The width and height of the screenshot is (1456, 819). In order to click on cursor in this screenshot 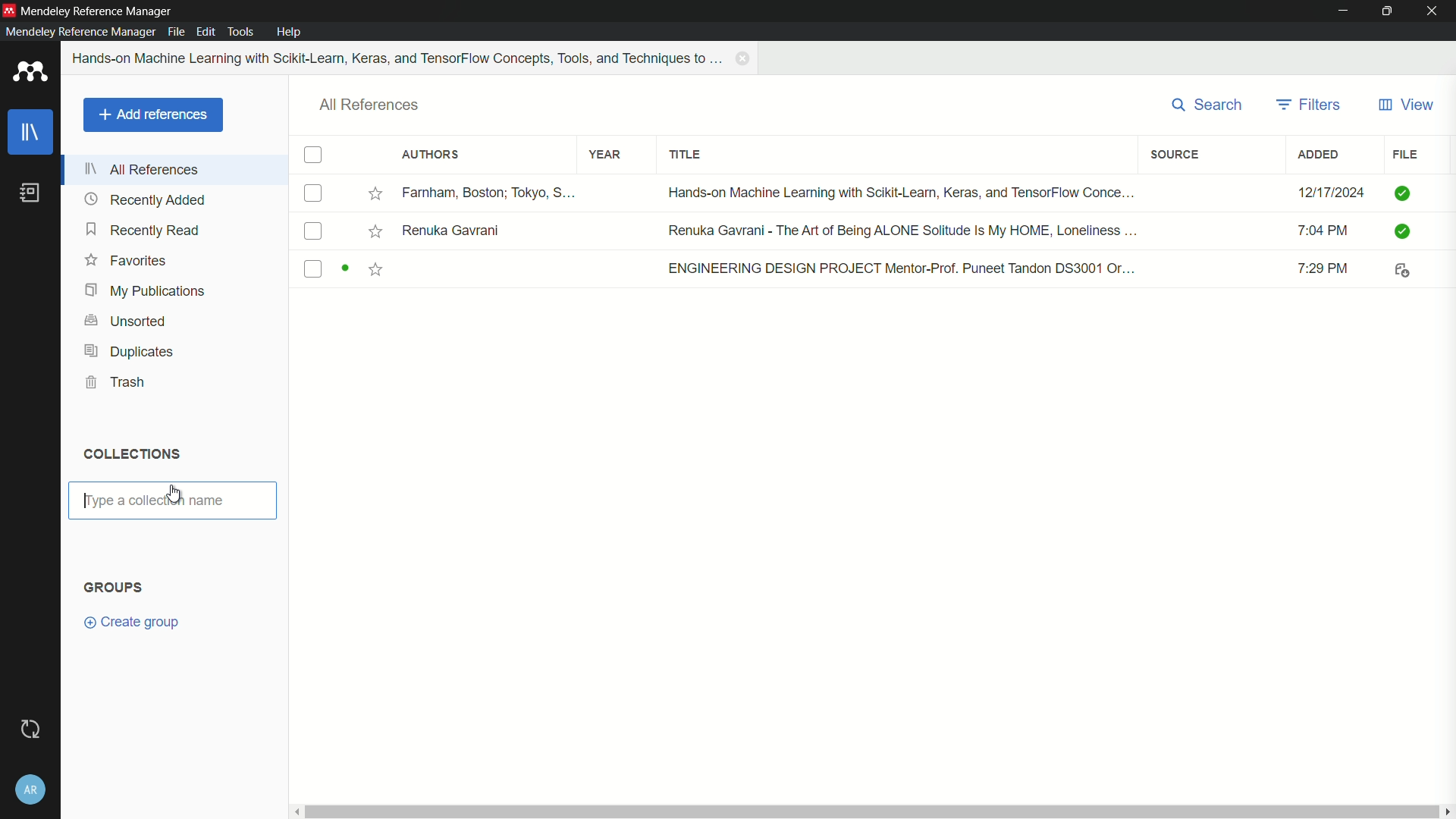, I will do `click(87, 497)`.